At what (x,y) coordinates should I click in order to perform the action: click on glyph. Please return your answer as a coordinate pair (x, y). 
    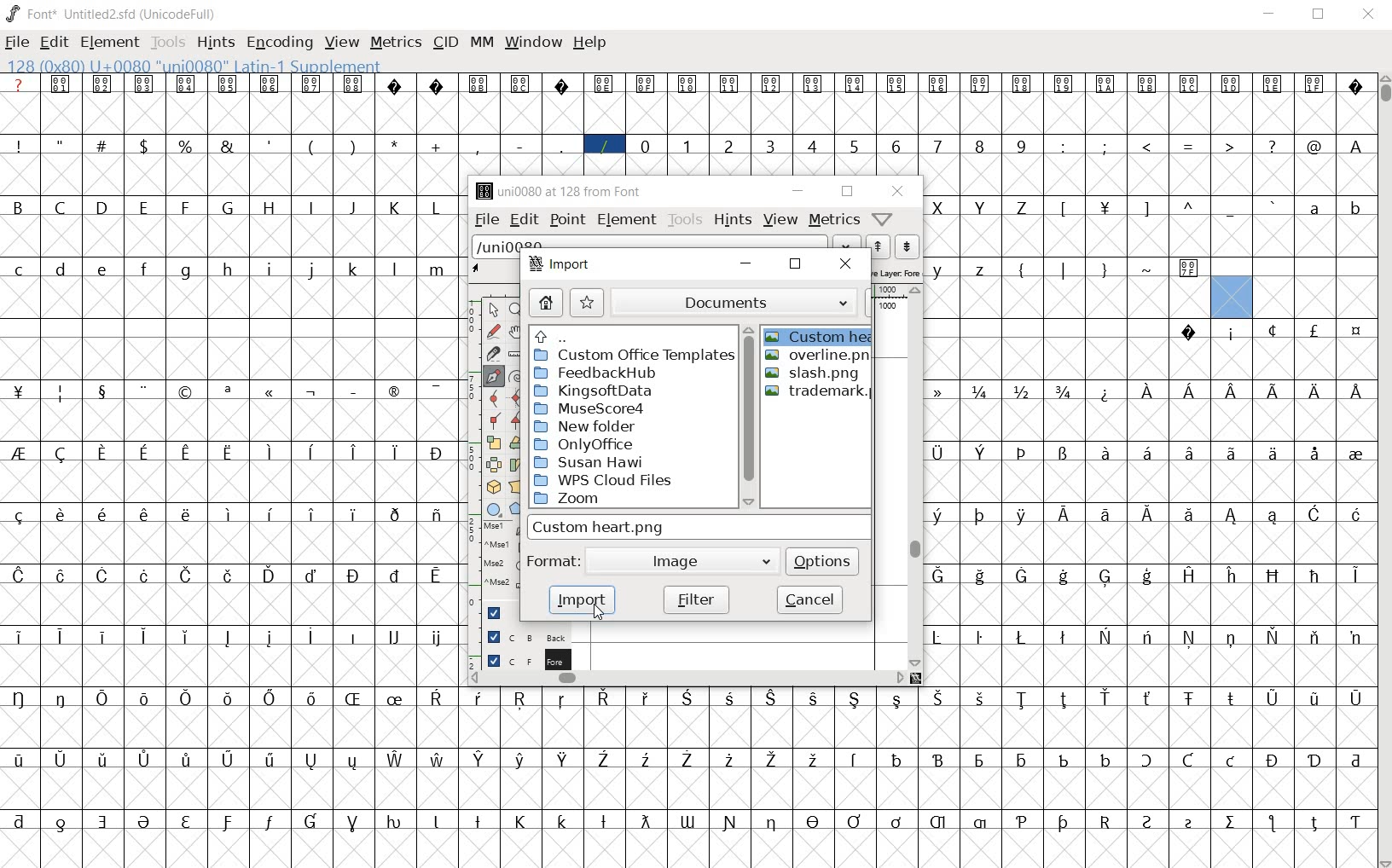
    Looking at the image, I should click on (1146, 636).